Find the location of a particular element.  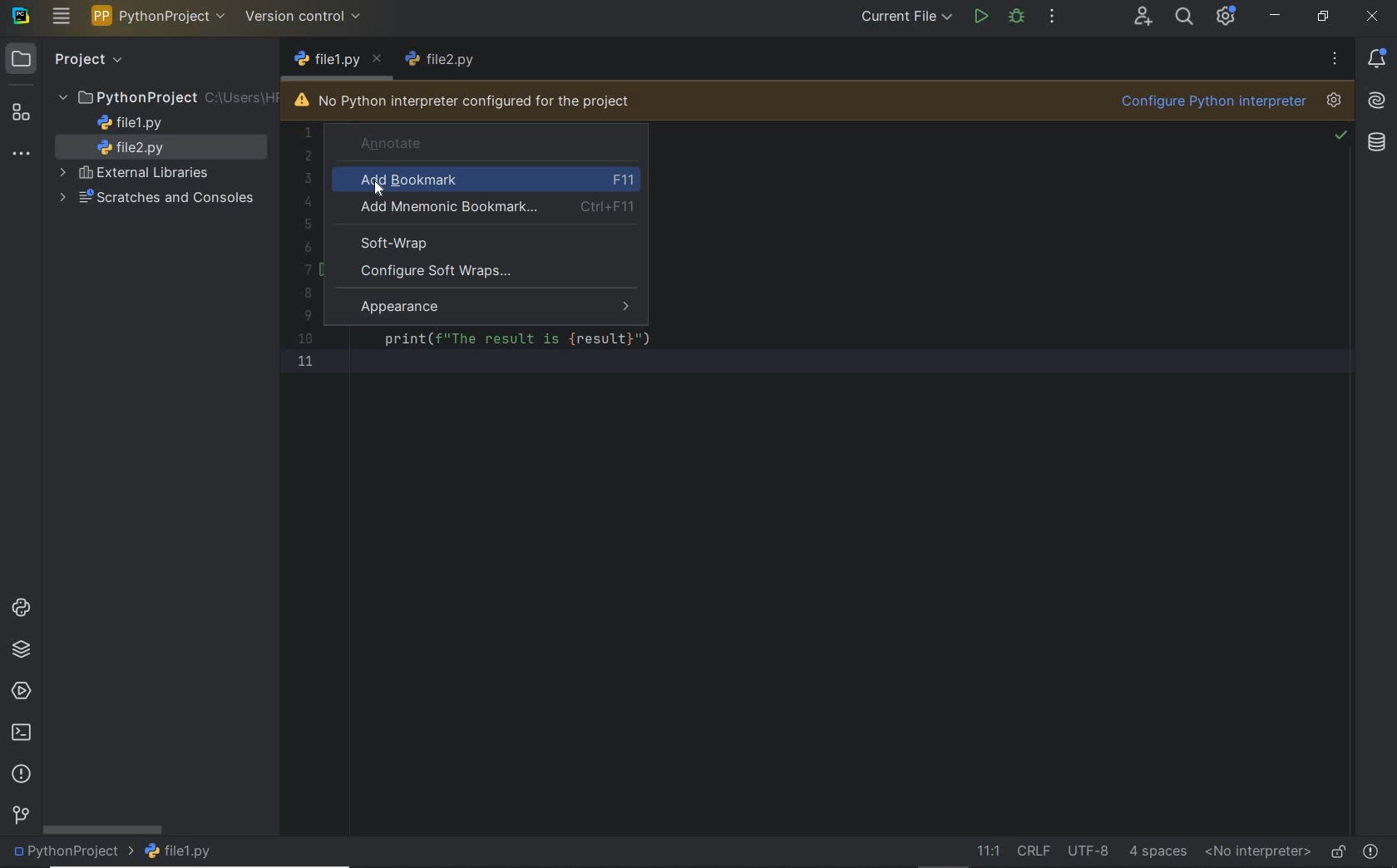

more options is located at coordinates (1333, 58).